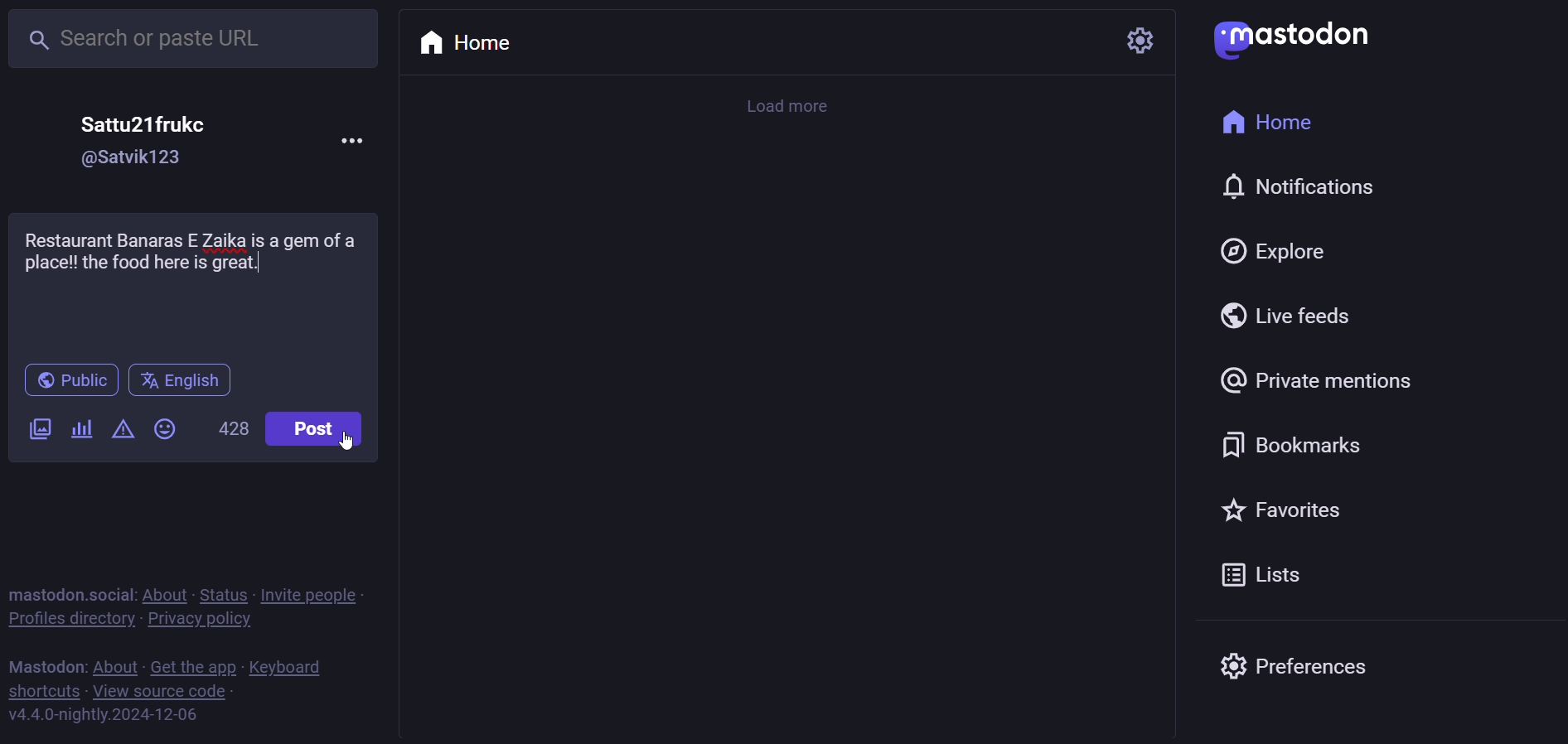 This screenshot has width=1568, height=744. Describe the element at coordinates (123, 431) in the screenshot. I see `content warning` at that location.